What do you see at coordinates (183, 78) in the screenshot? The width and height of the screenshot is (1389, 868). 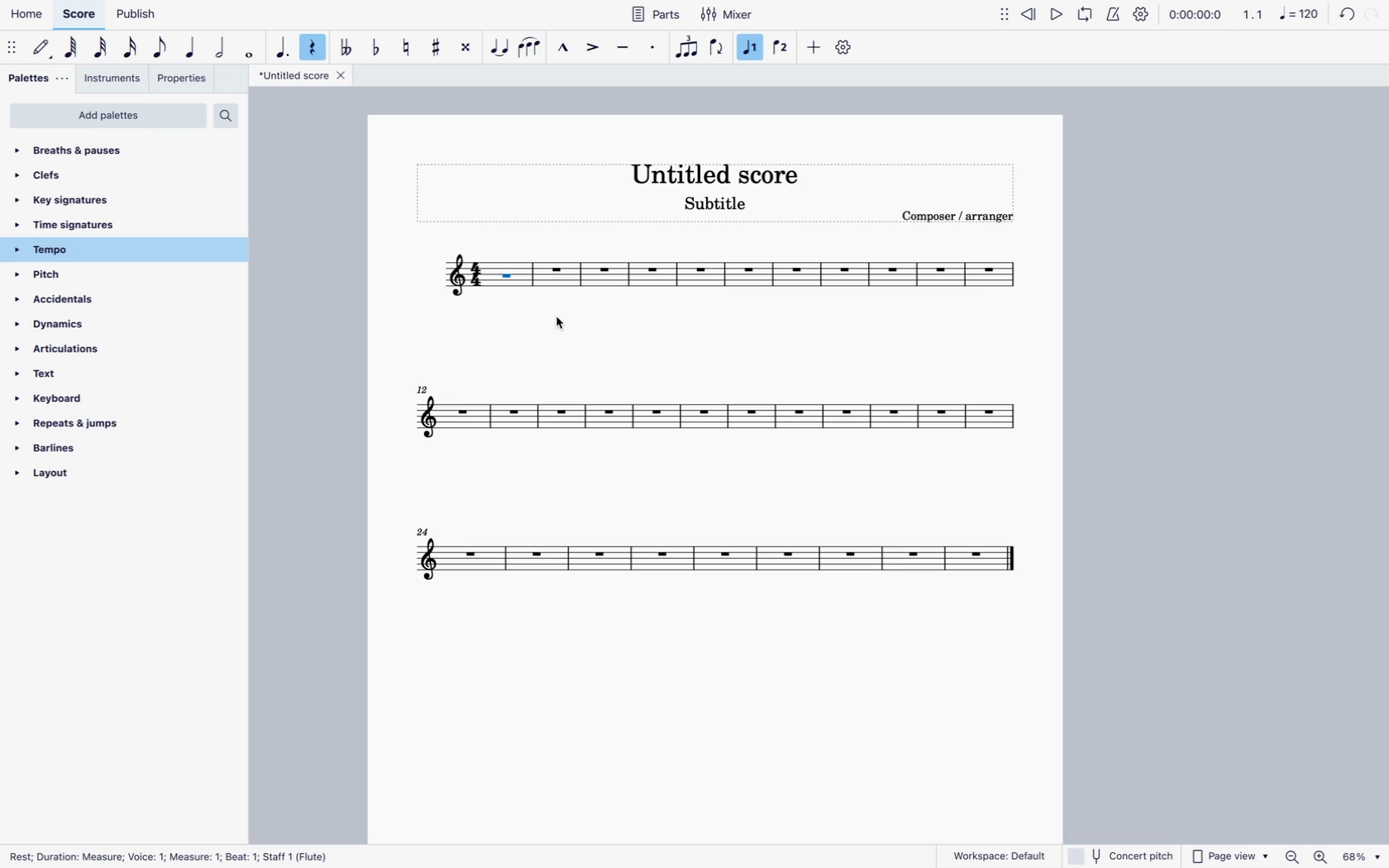 I see `properties` at bounding box center [183, 78].